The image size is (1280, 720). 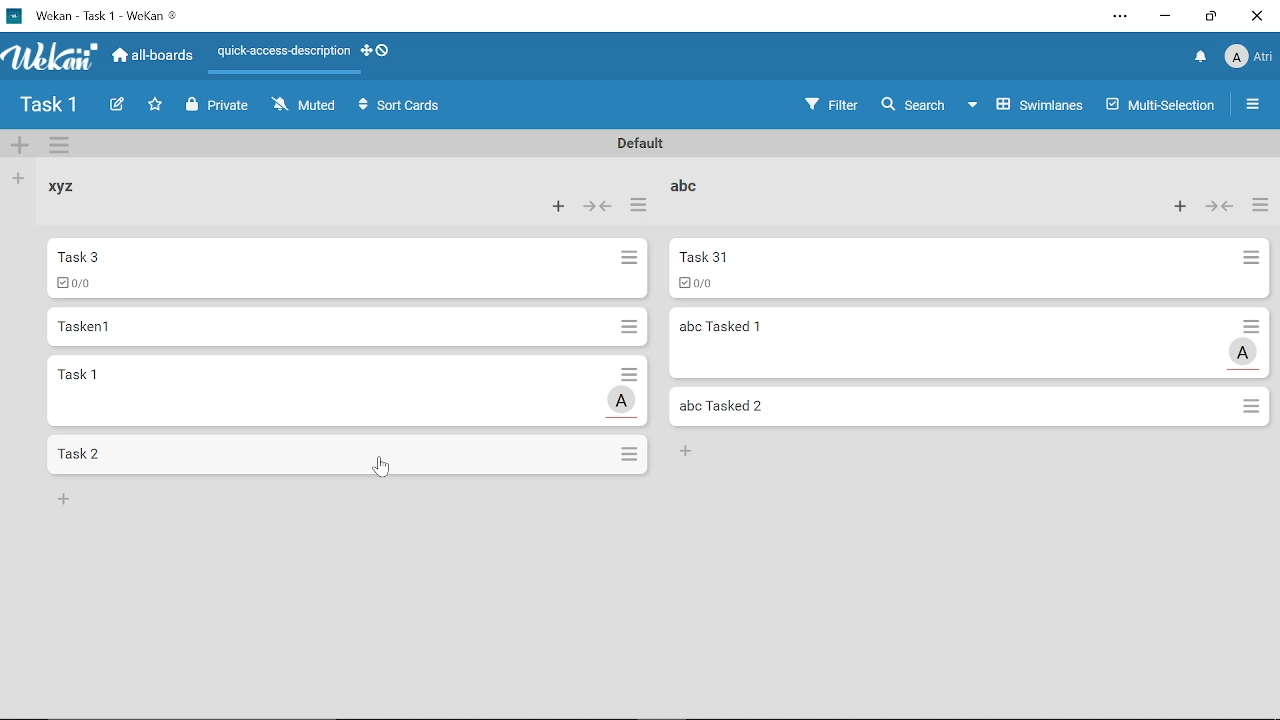 What do you see at coordinates (92, 14) in the screenshot?
I see `Current window` at bounding box center [92, 14].